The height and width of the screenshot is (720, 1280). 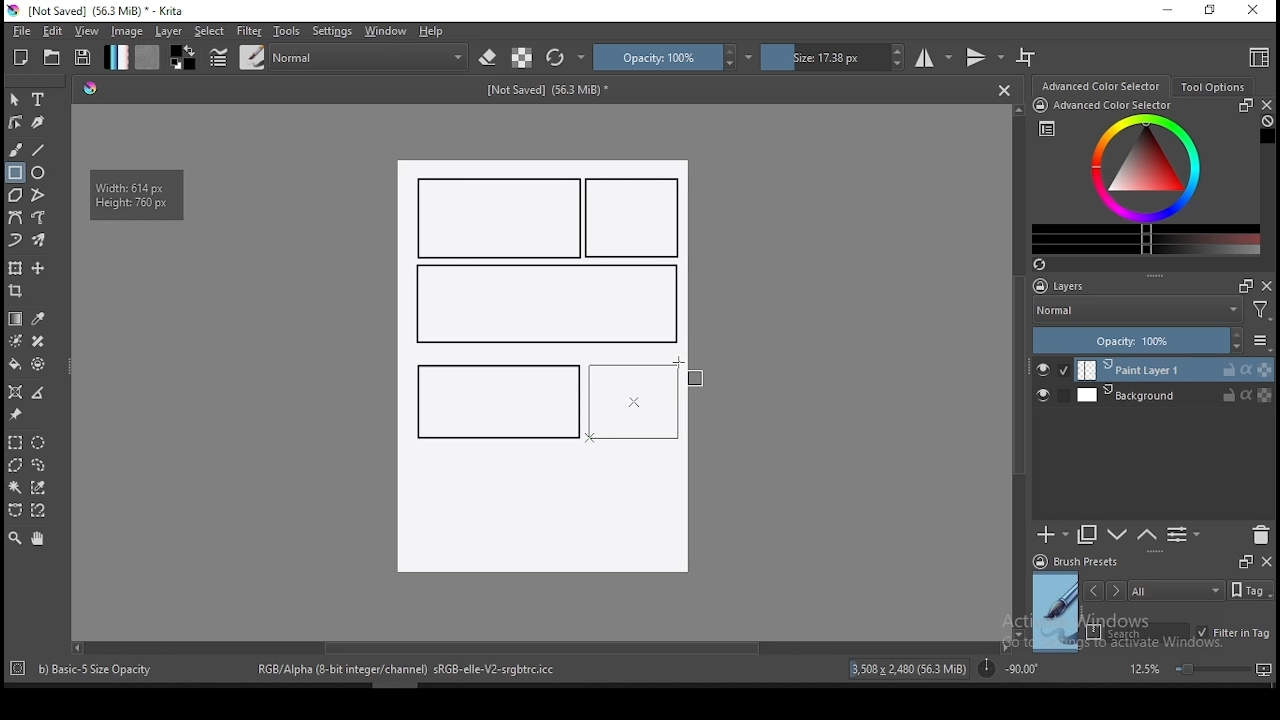 I want to click on layer, so click(x=170, y=31).